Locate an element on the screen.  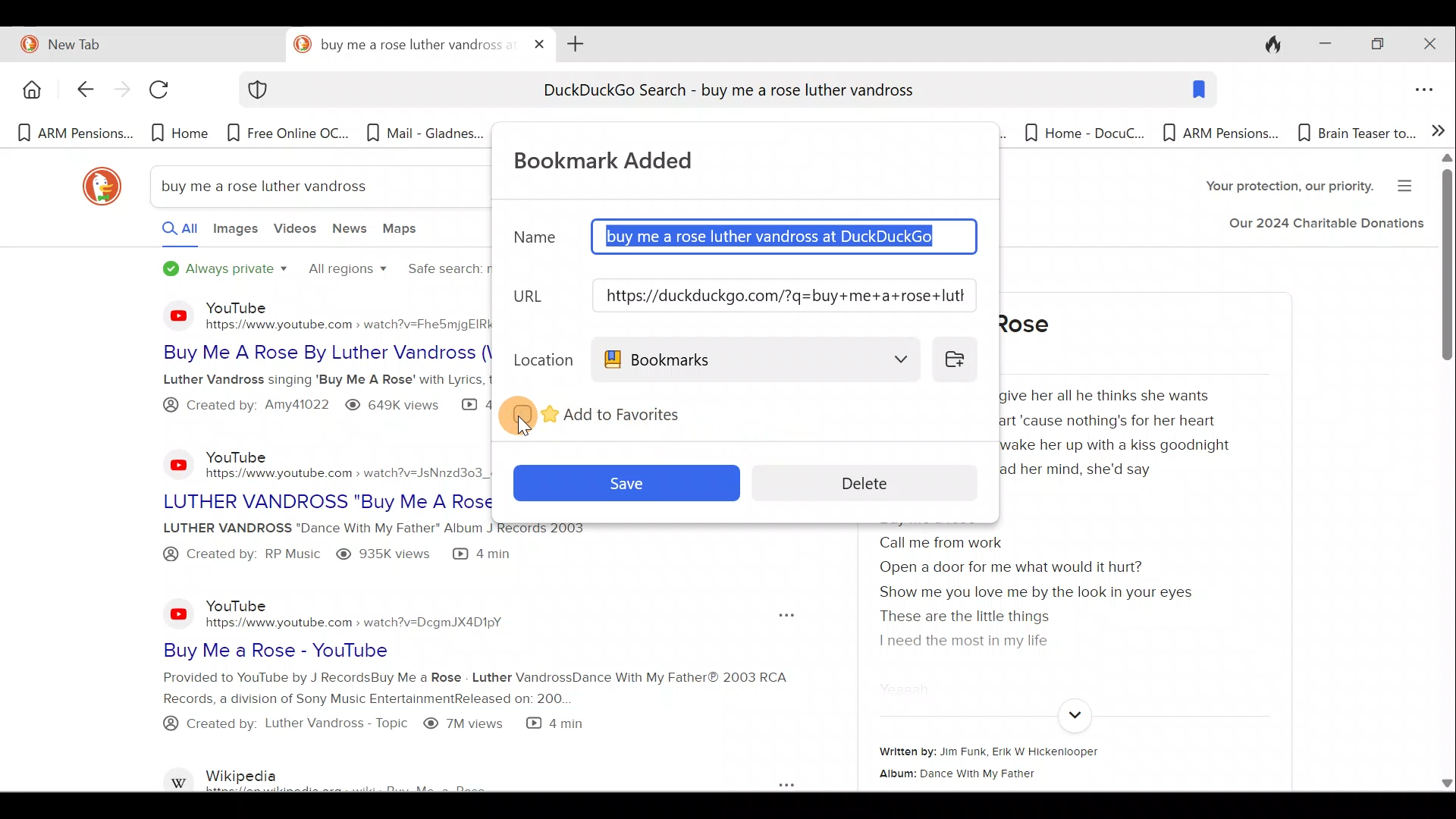
YouTube logo is located at coordinates (168, 315).